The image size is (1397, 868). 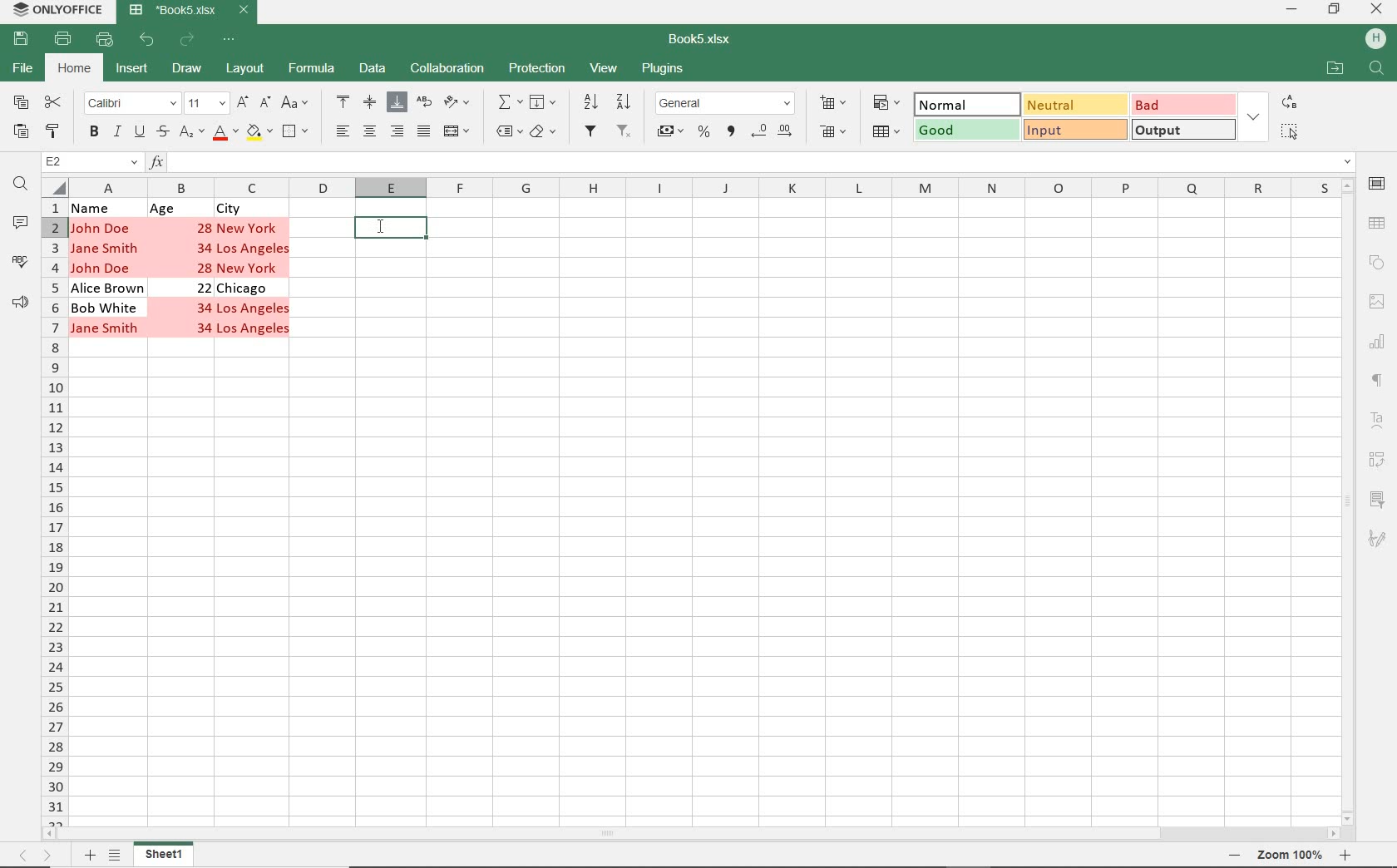 I want to click on INSERT, so click(x=132, y=71).